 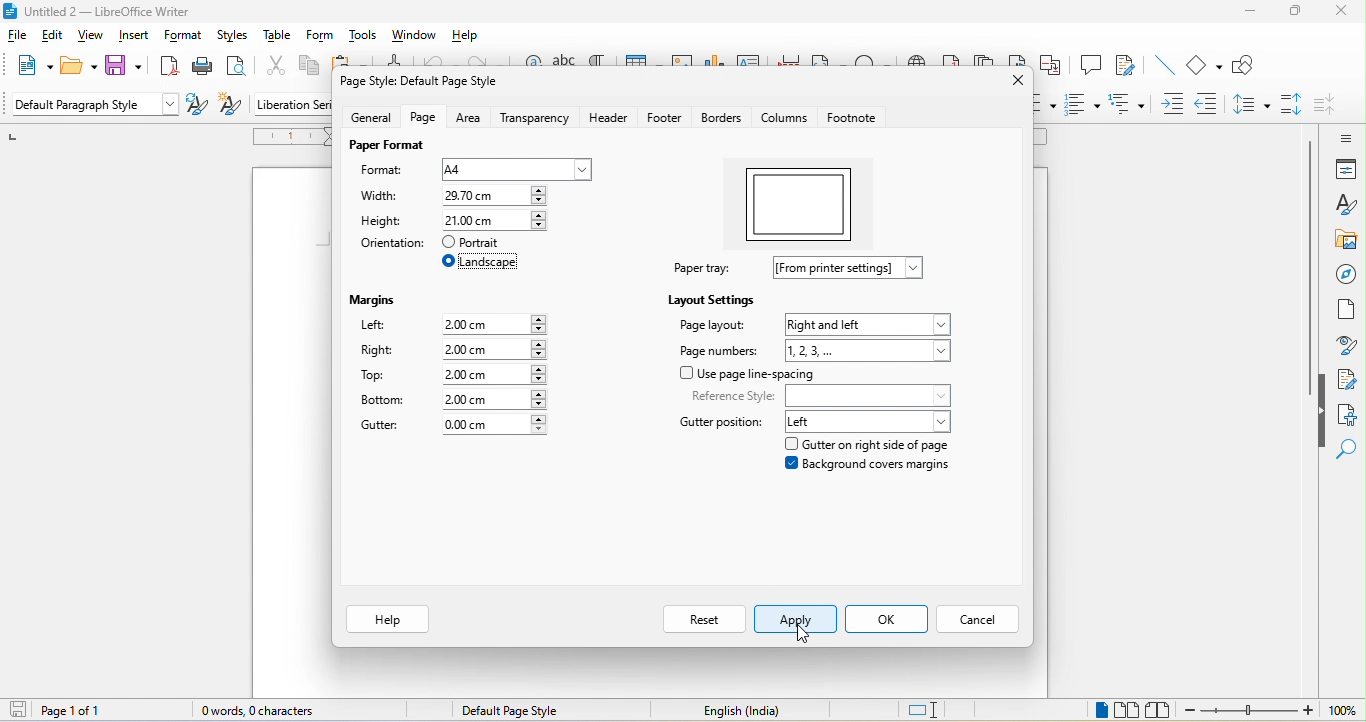 I want to click on sidebar, so click(x=1339, y=136).